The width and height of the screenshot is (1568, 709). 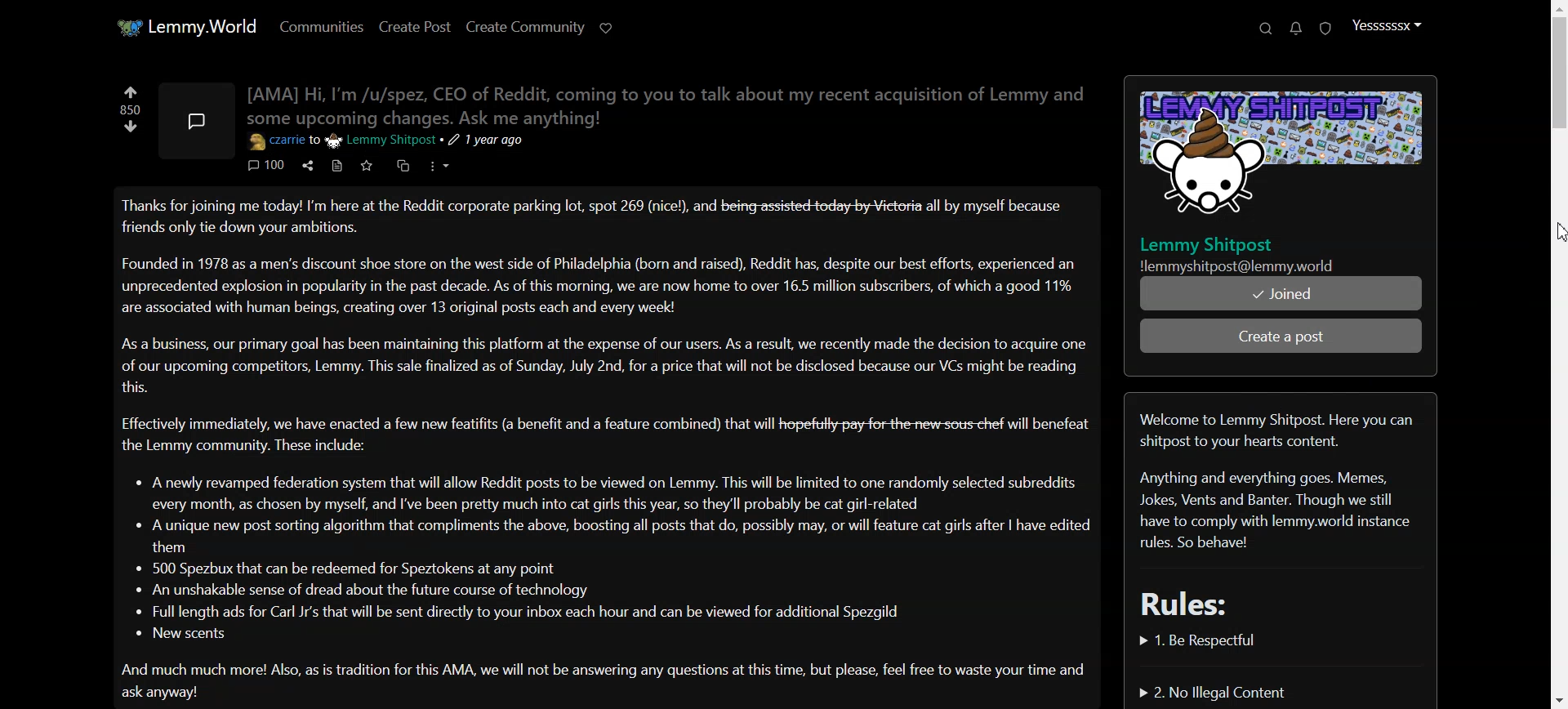 What do you see at coordinates (1387, 25) in the screenshot?
I see `Profile` at bounding box center [1387, 25].